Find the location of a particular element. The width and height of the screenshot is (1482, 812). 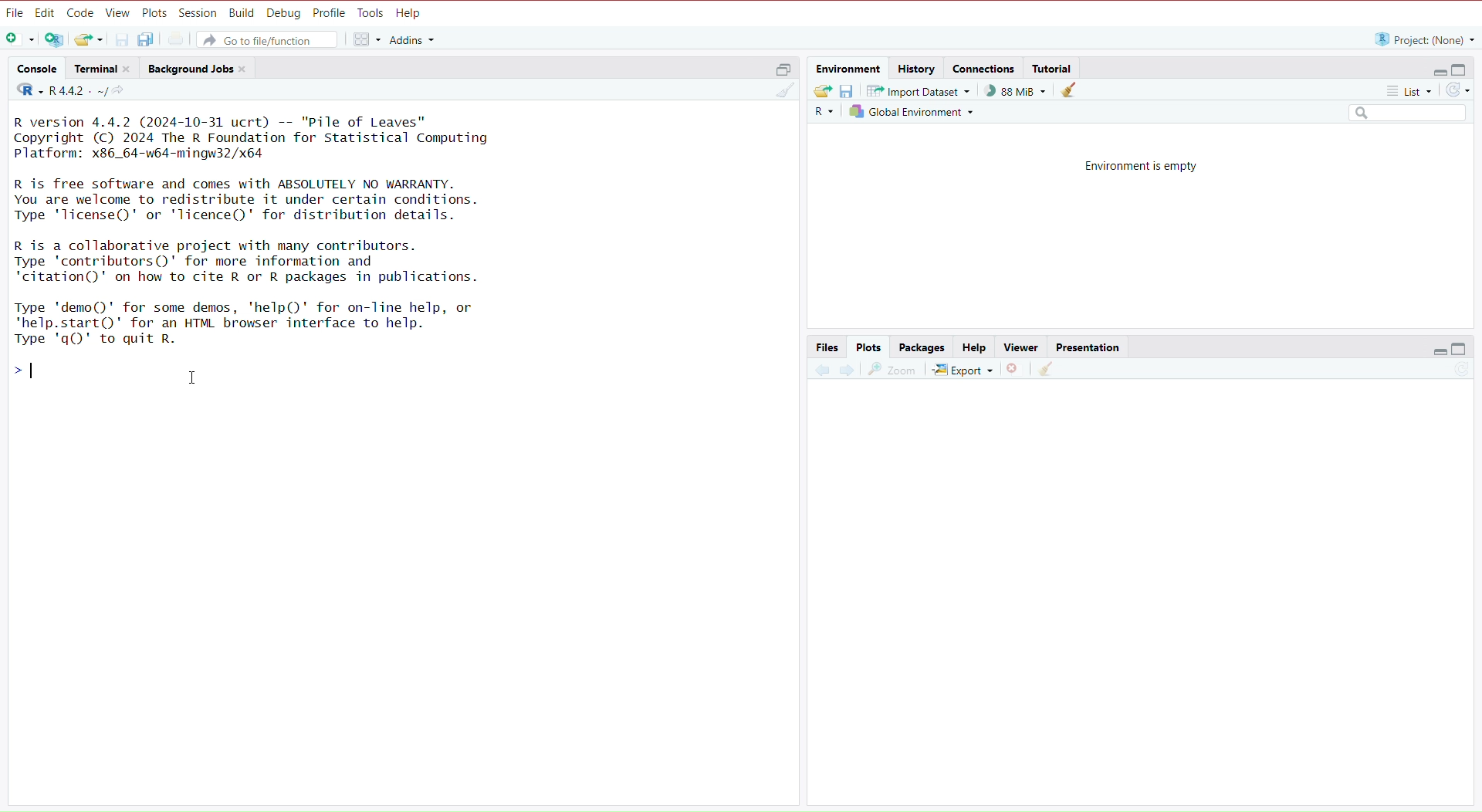

Refresh list is located at coordinates (1460, 369).